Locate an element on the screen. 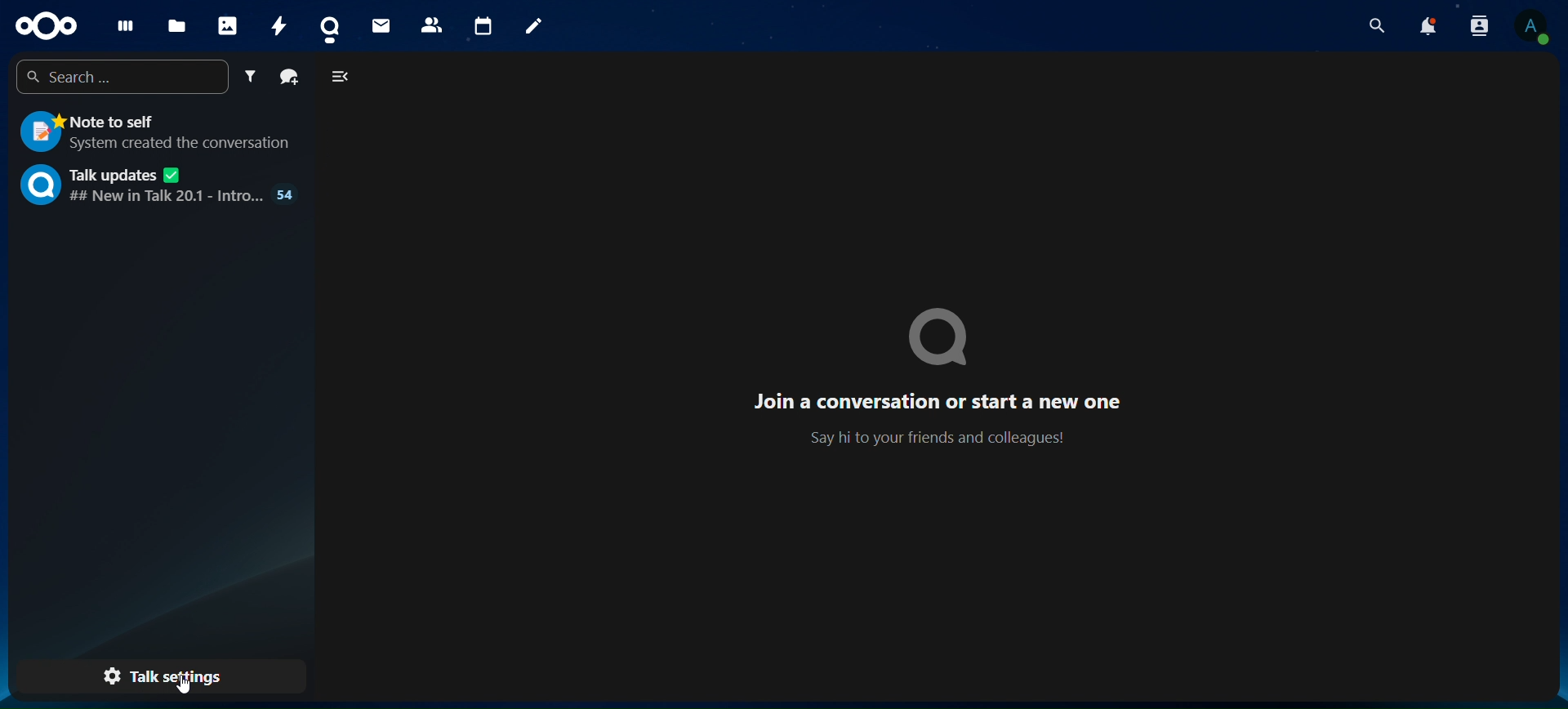 The height and width of the screenshot is (709, 1568). activity is located at coordinates (276, 22).